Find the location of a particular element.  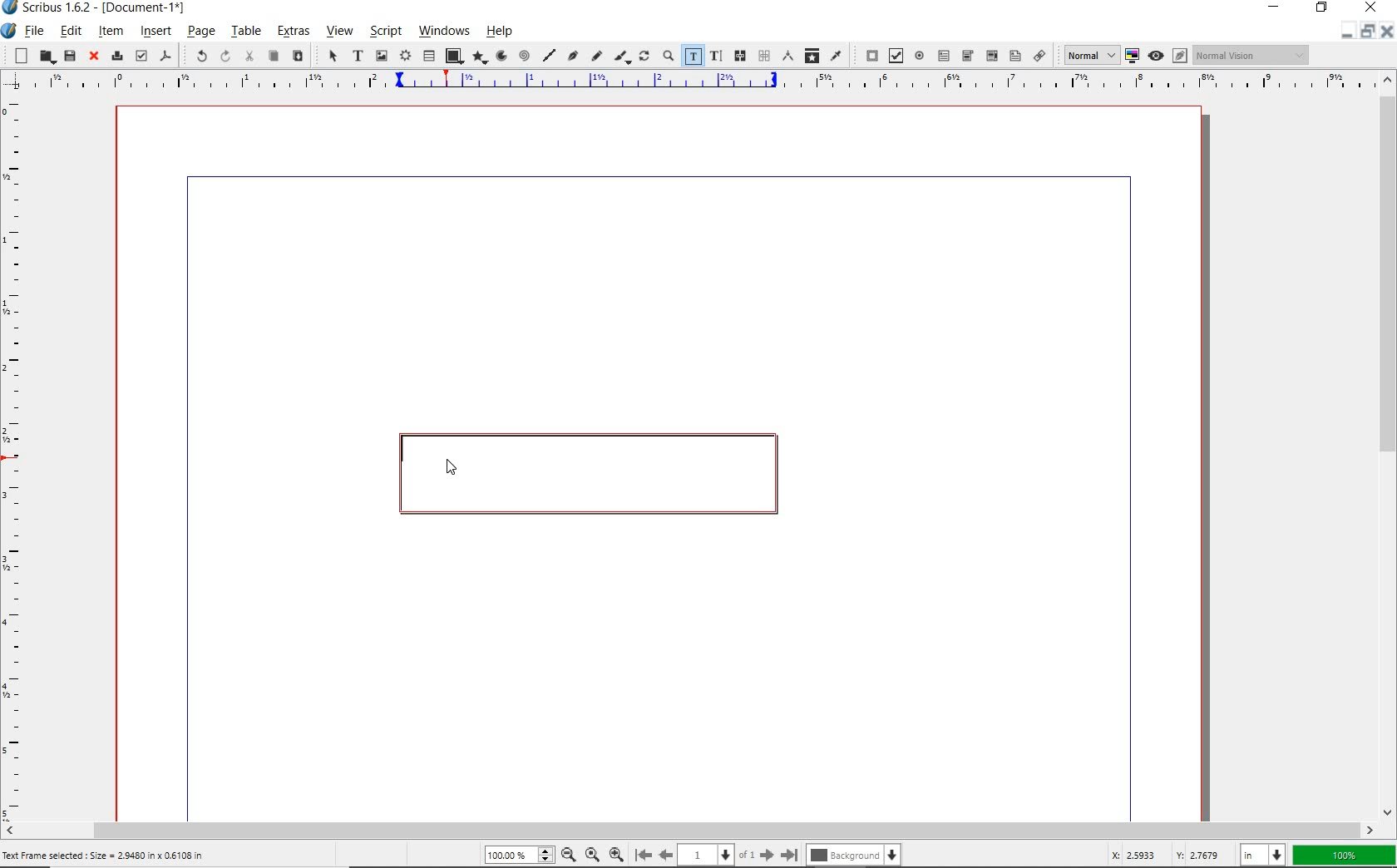

item is located at coordinates (111, 31).